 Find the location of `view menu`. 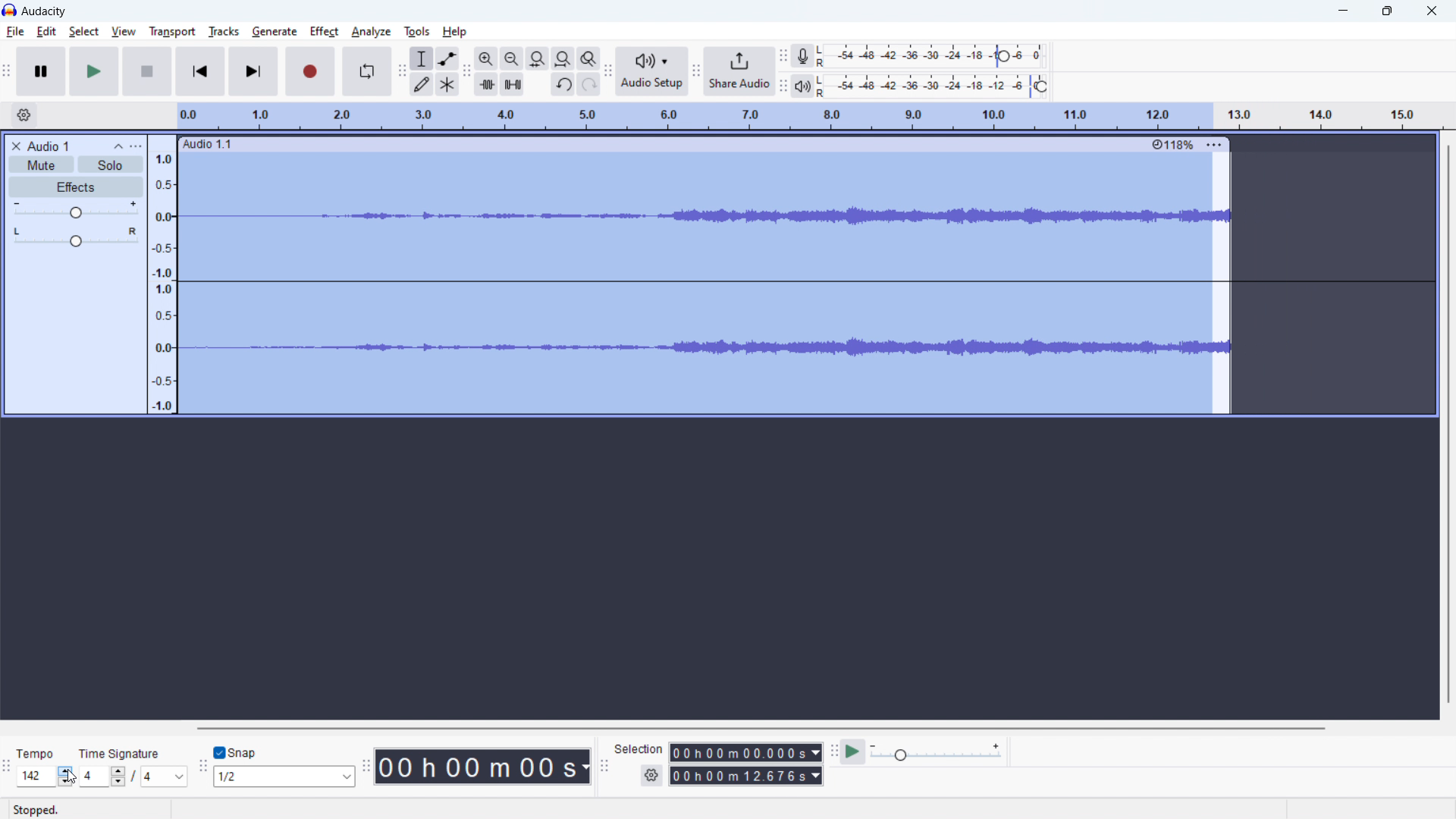

view menu is located at coordinates (136, 146).